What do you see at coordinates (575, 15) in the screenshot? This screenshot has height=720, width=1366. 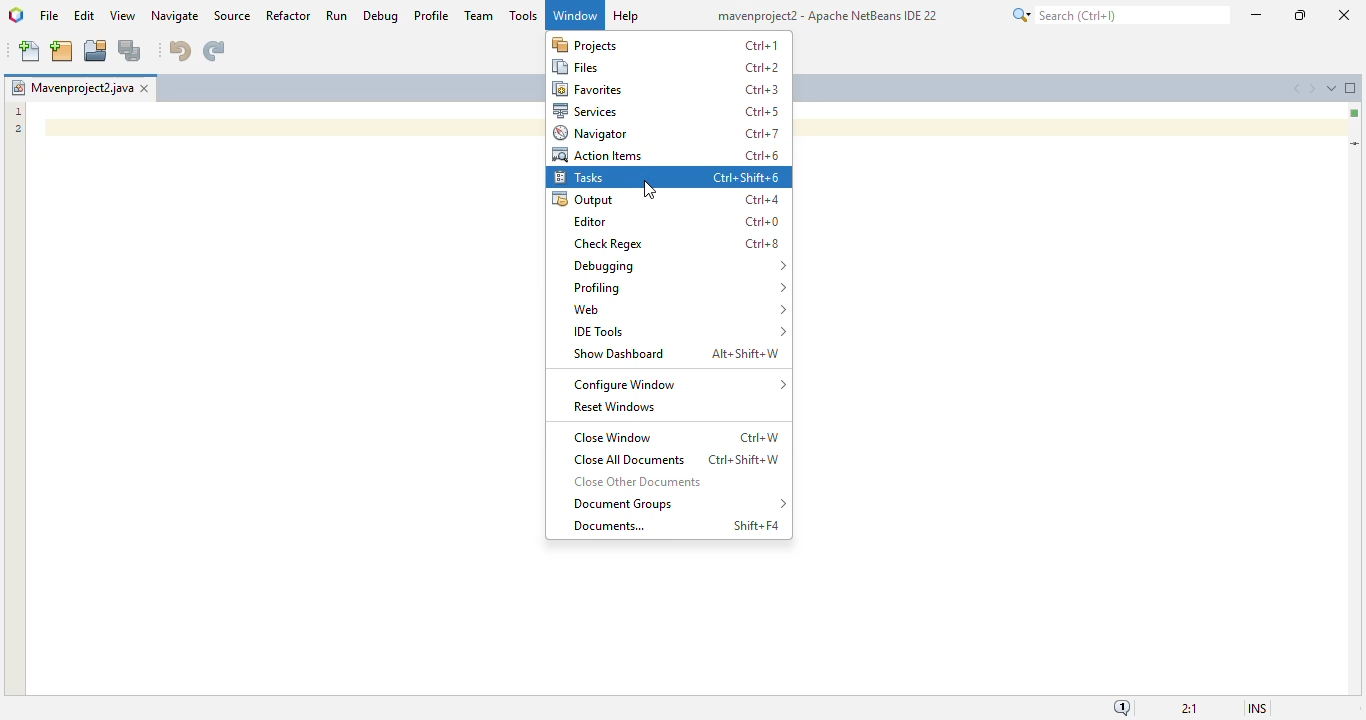 I see `window` at bounding box center [575, 15].